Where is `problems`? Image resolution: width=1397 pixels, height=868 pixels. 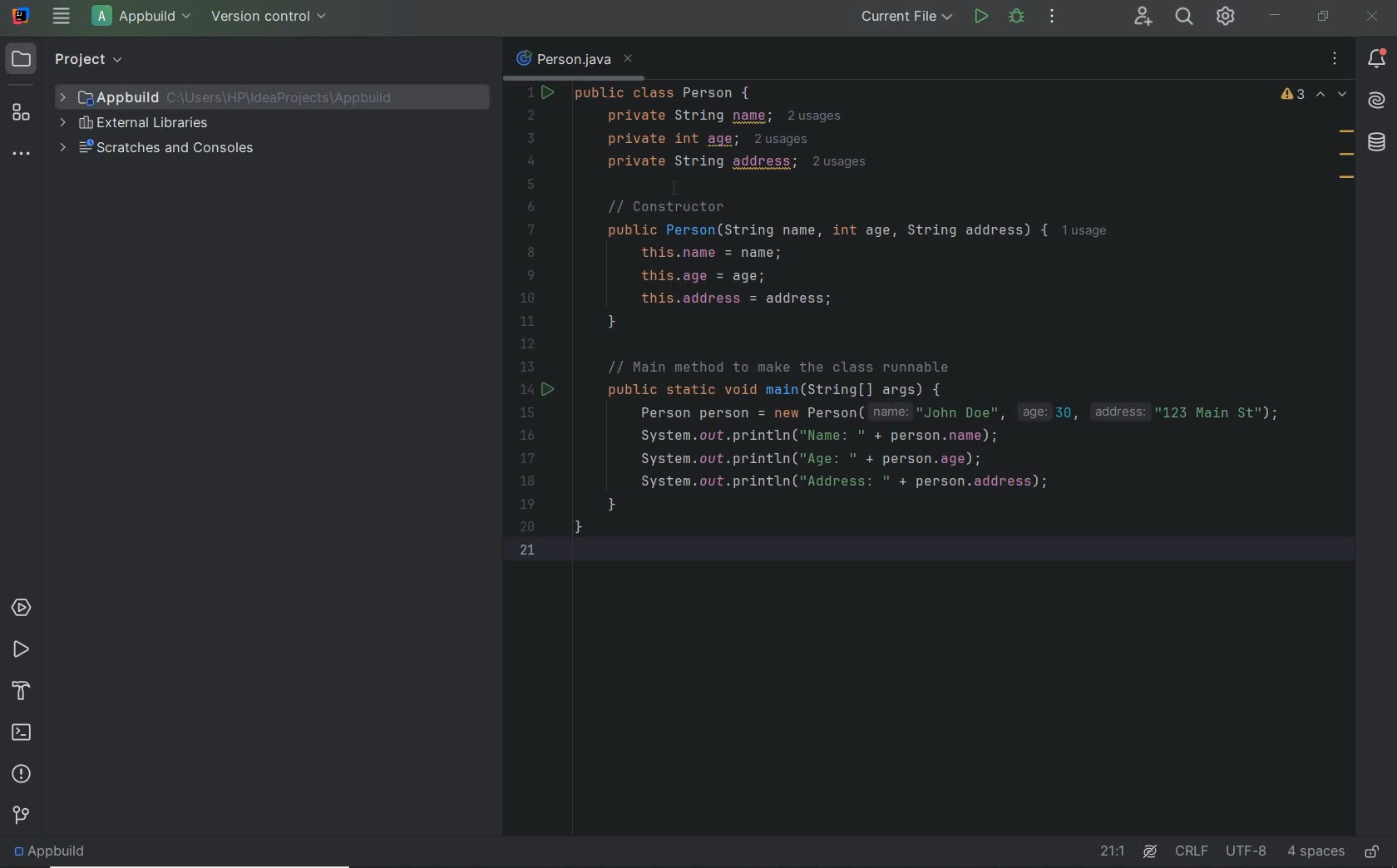
problems is located at coordinates (20, 772).